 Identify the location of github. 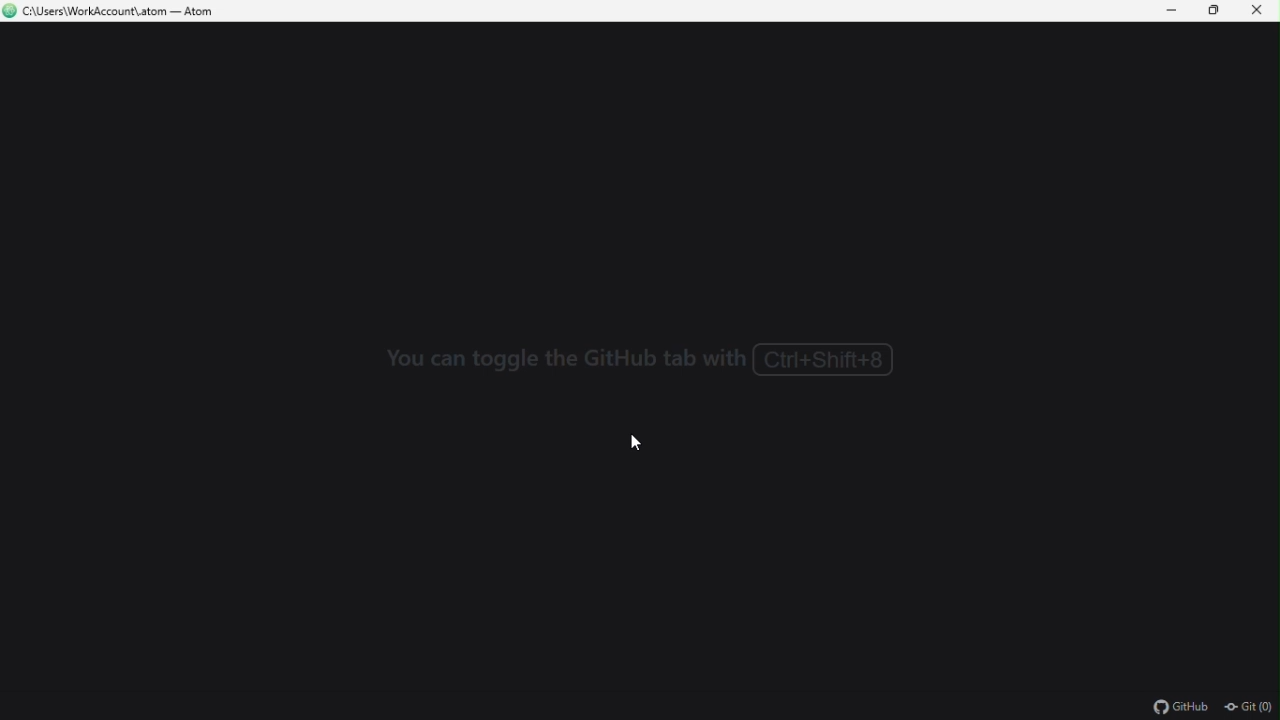
(1184, 707).